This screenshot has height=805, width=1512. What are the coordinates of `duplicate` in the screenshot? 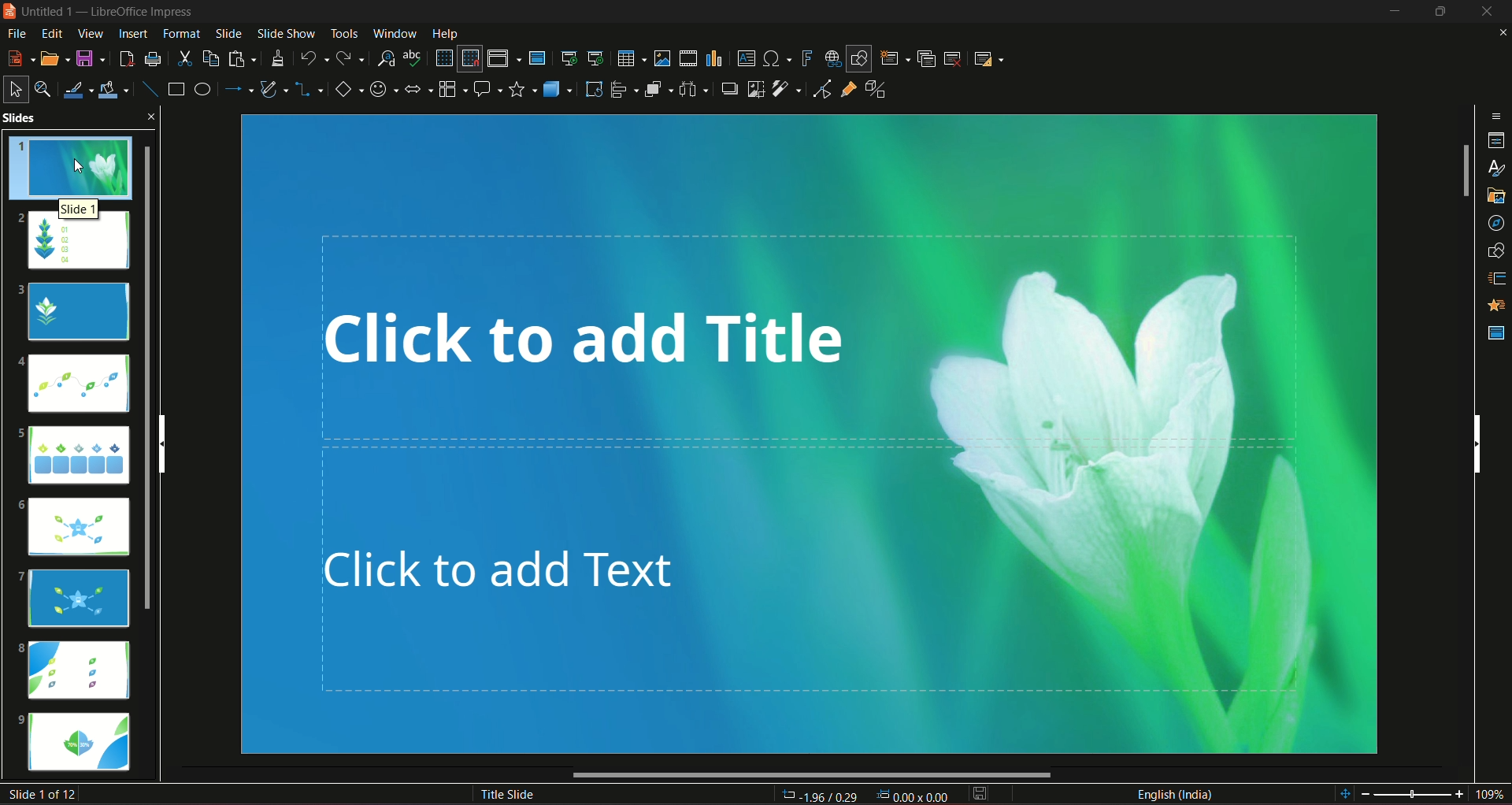 It's located at (926, 57).